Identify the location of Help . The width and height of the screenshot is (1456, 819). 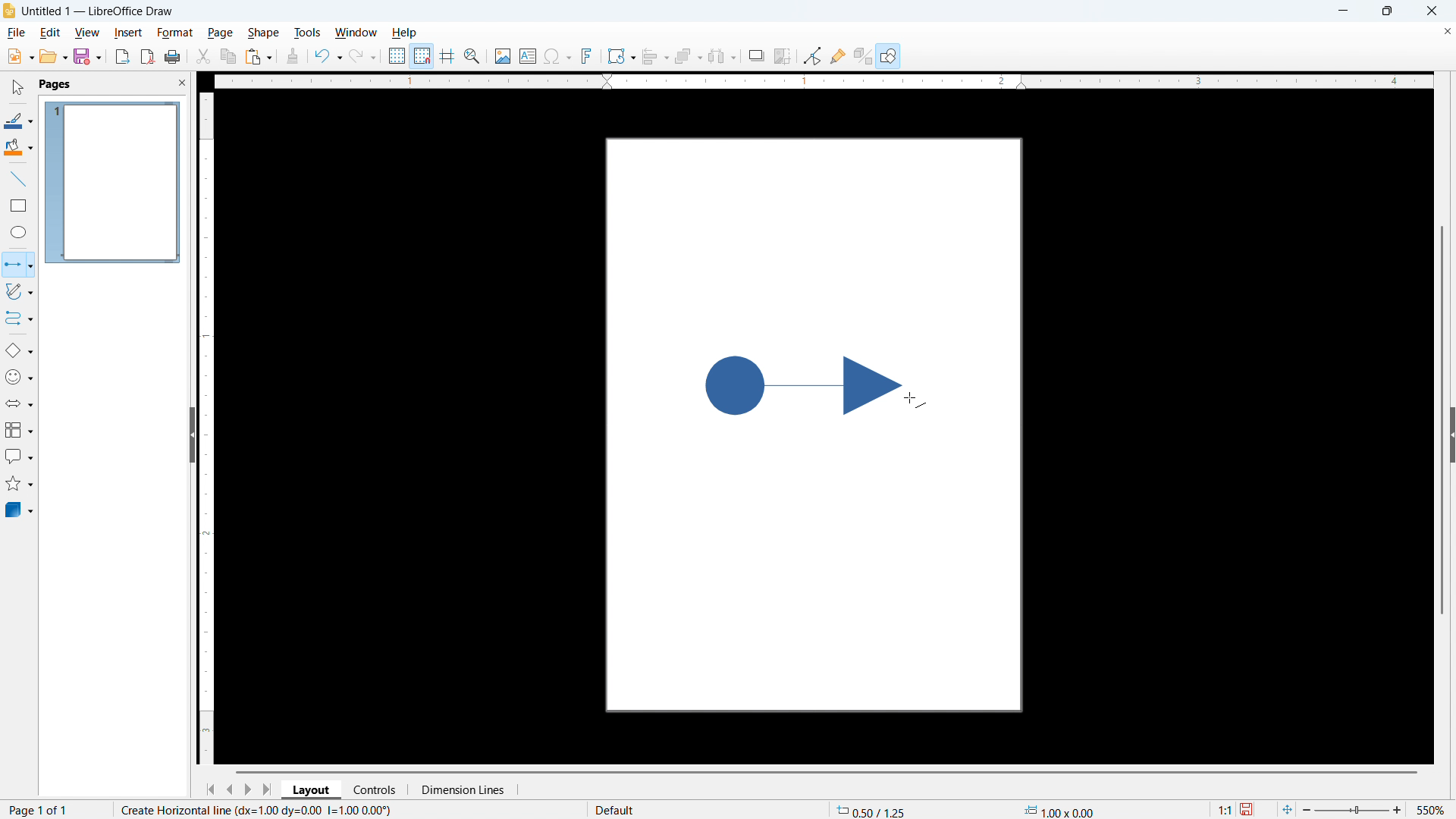
(889, 55).